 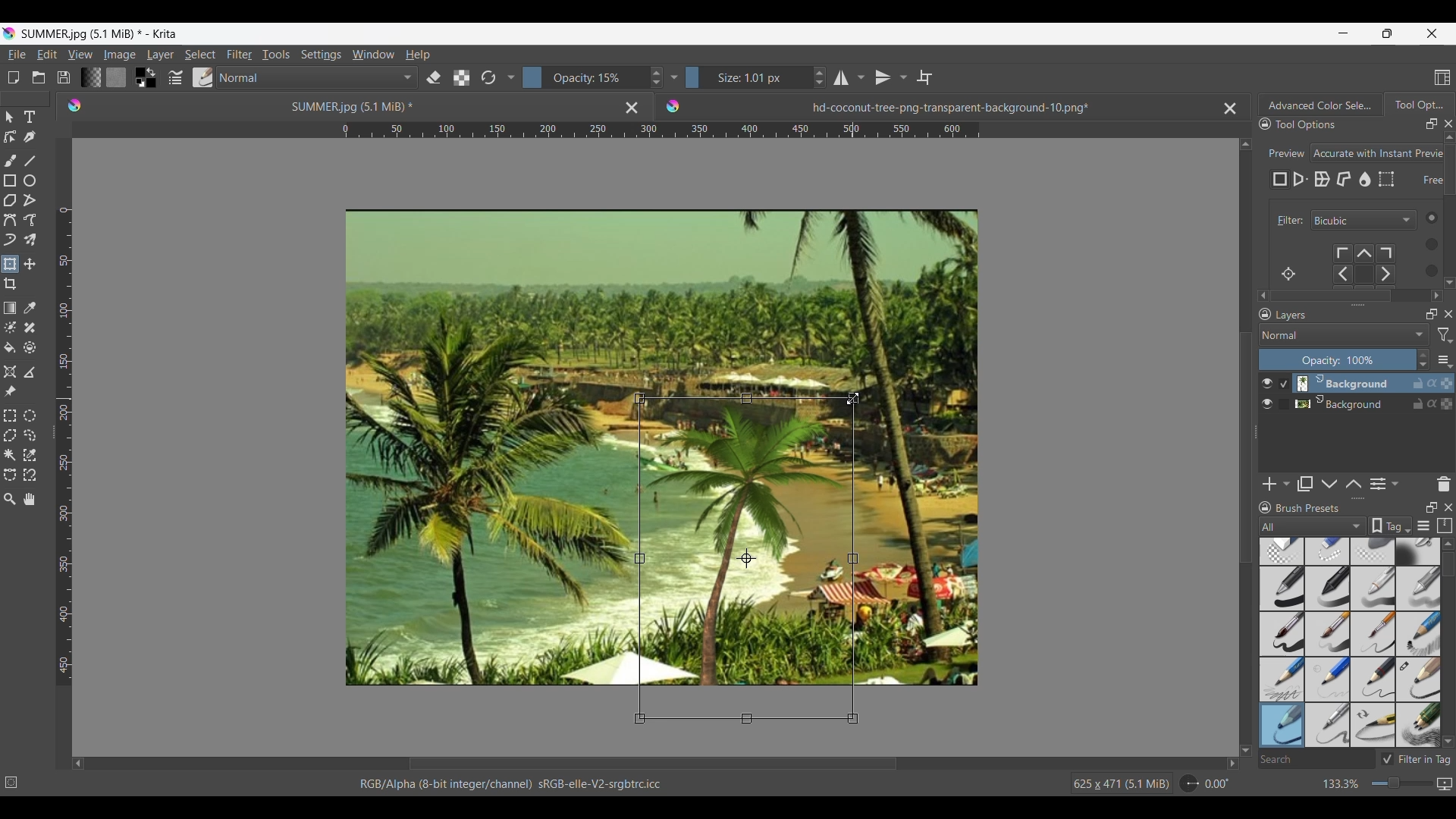 What do you see at coordinates (883, 77) in the screenshot?
I see `Vertical flip options` at bounding box center [883, 77].